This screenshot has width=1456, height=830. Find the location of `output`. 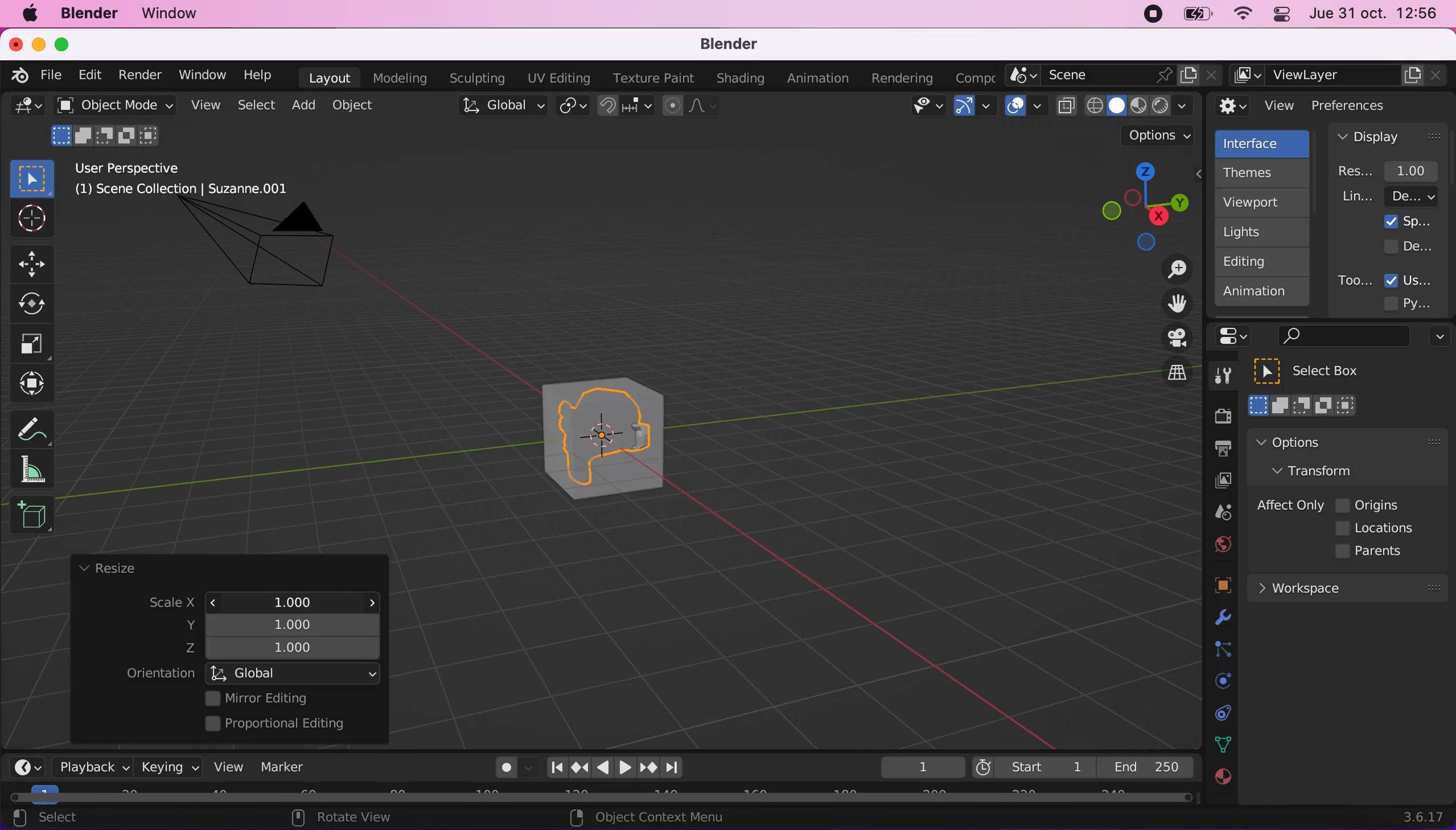

output is located at coordinates (1217, 450).